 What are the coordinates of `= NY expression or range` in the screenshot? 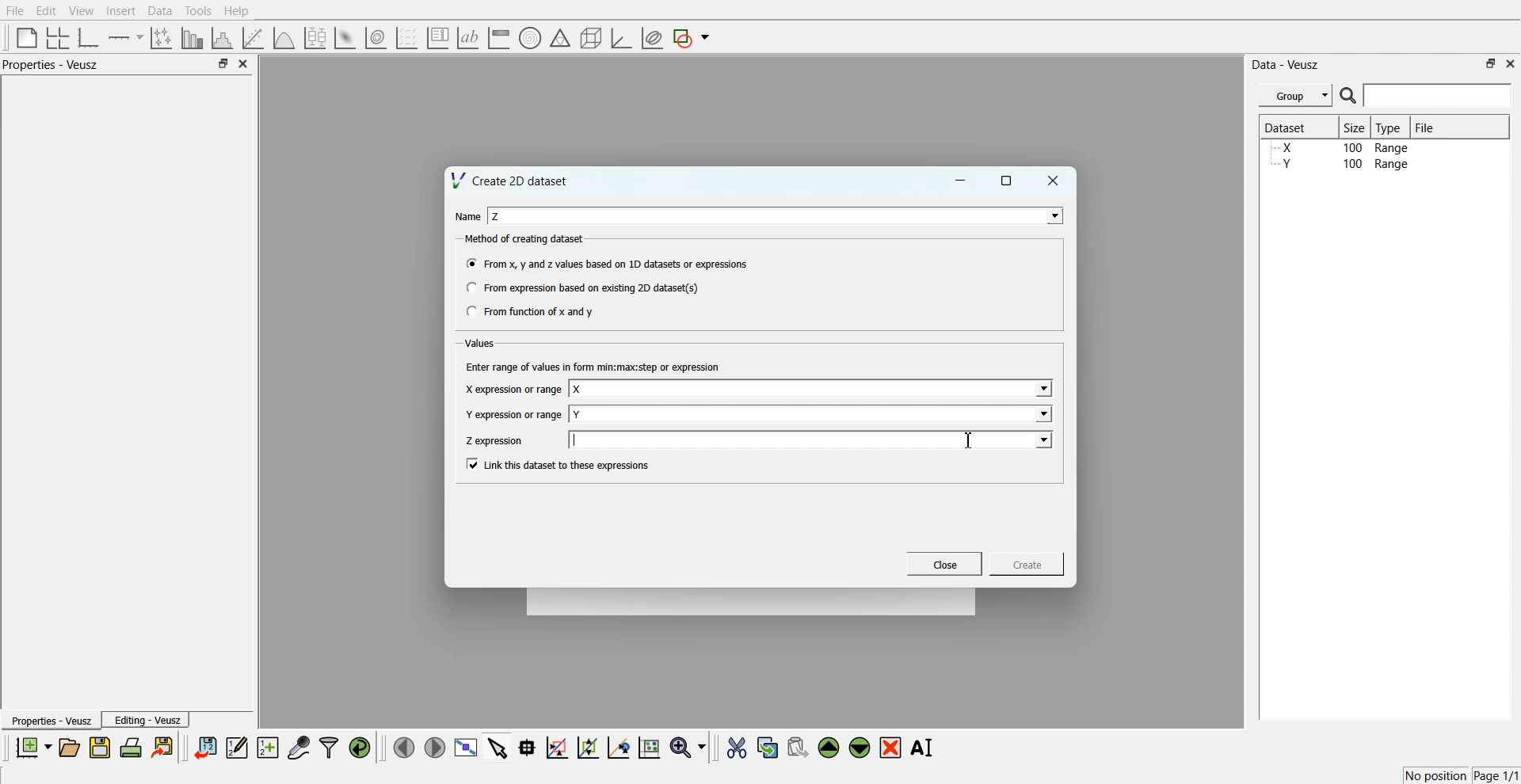 It's located at (514, 414).